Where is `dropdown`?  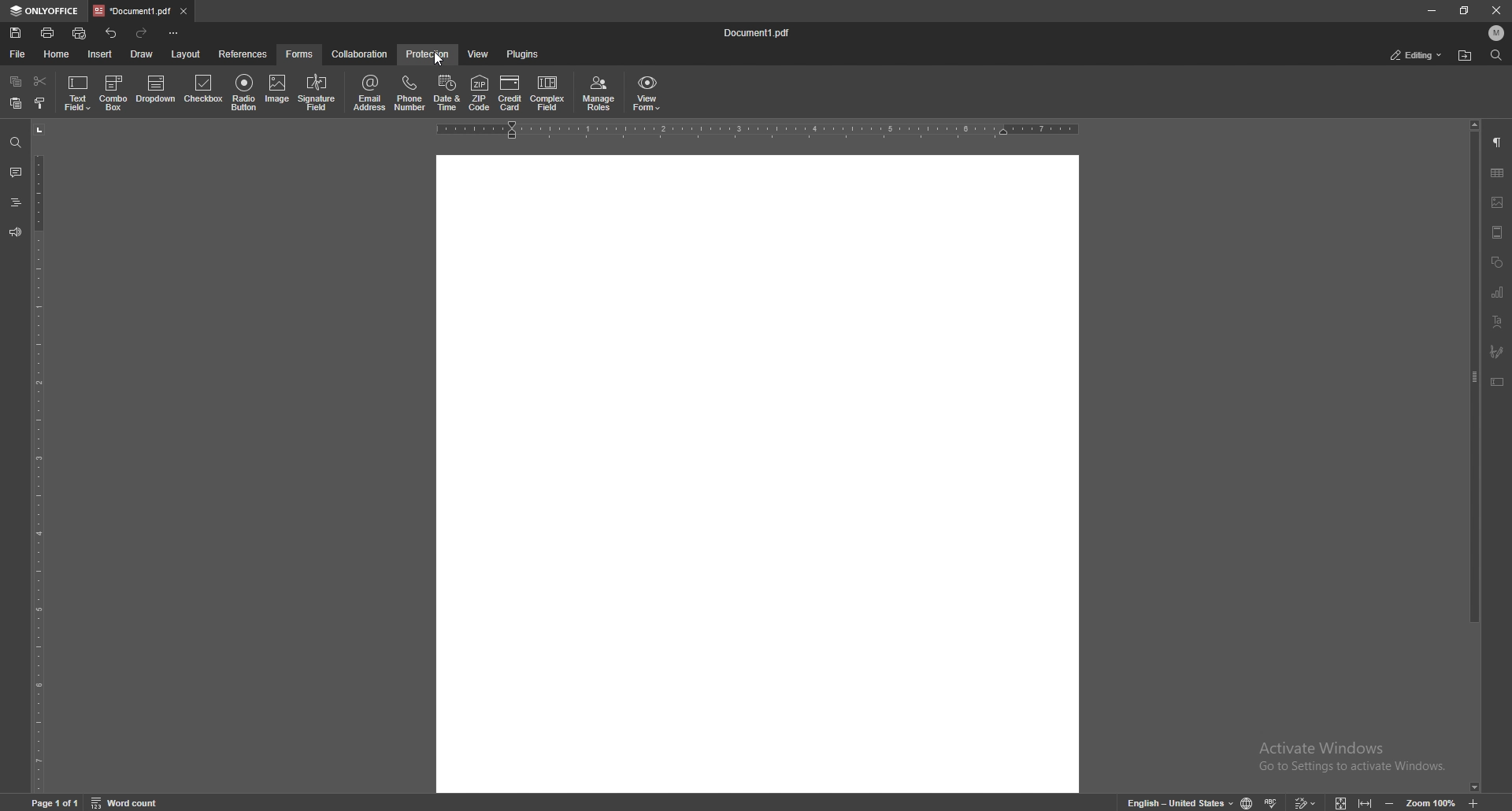
dropdown is located at coordinates (157, 92).